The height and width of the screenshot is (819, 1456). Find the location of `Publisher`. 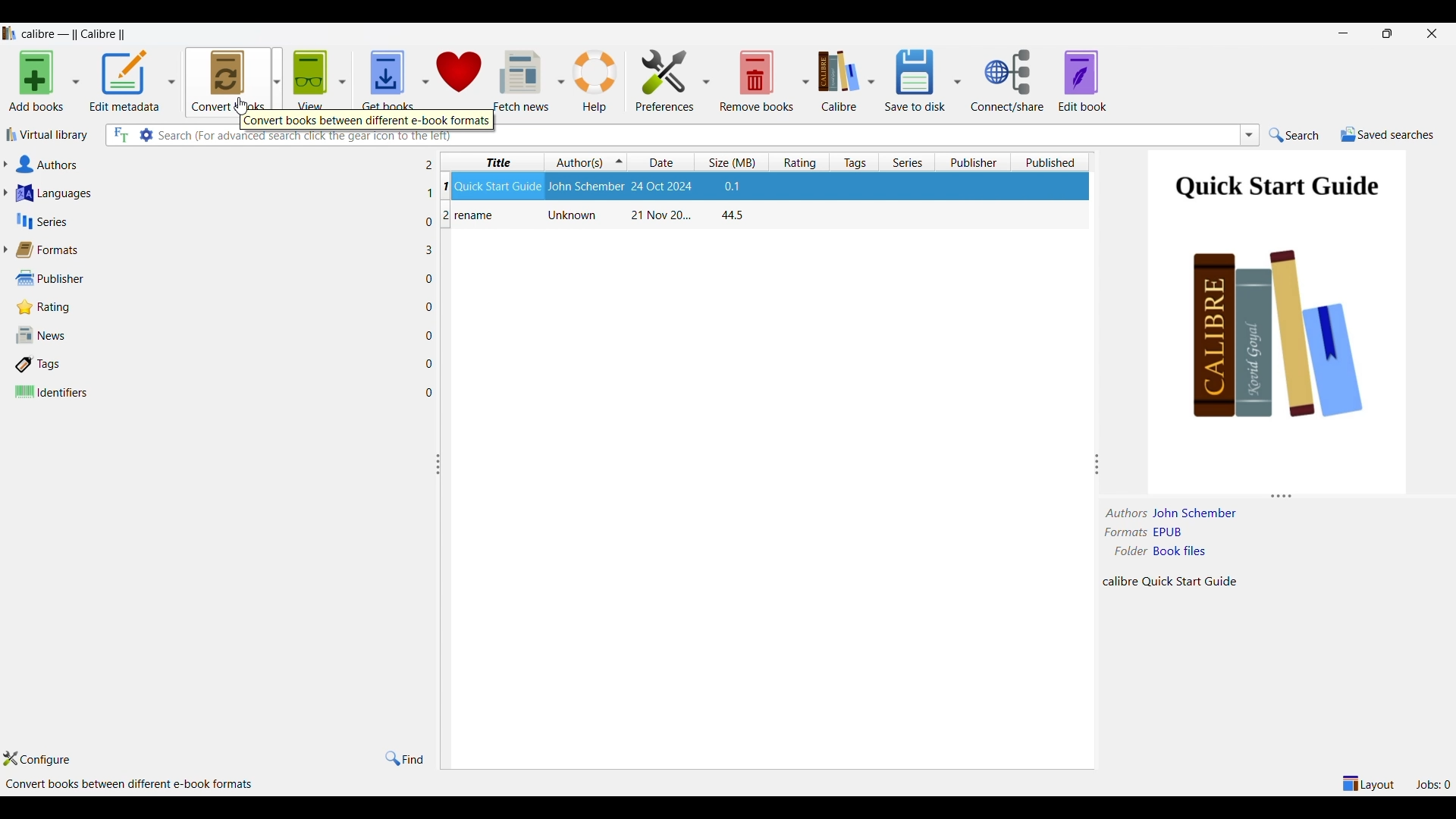

Publisher is located at coordinates (215, 278).